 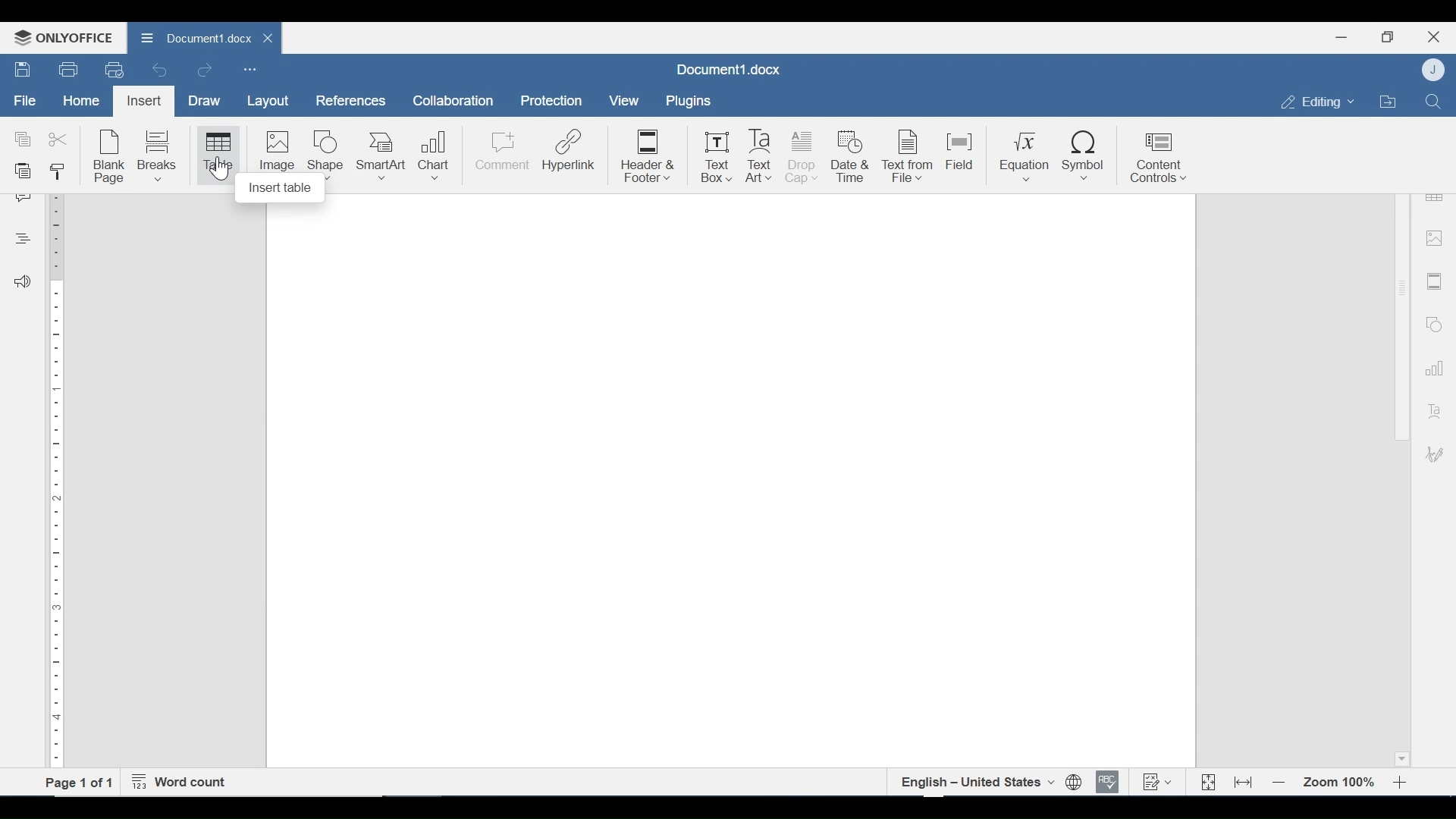 What do you see at coordinates (1086, 157) in the screenshot?
I see `Symbol` at bounding box center [1086, 157].